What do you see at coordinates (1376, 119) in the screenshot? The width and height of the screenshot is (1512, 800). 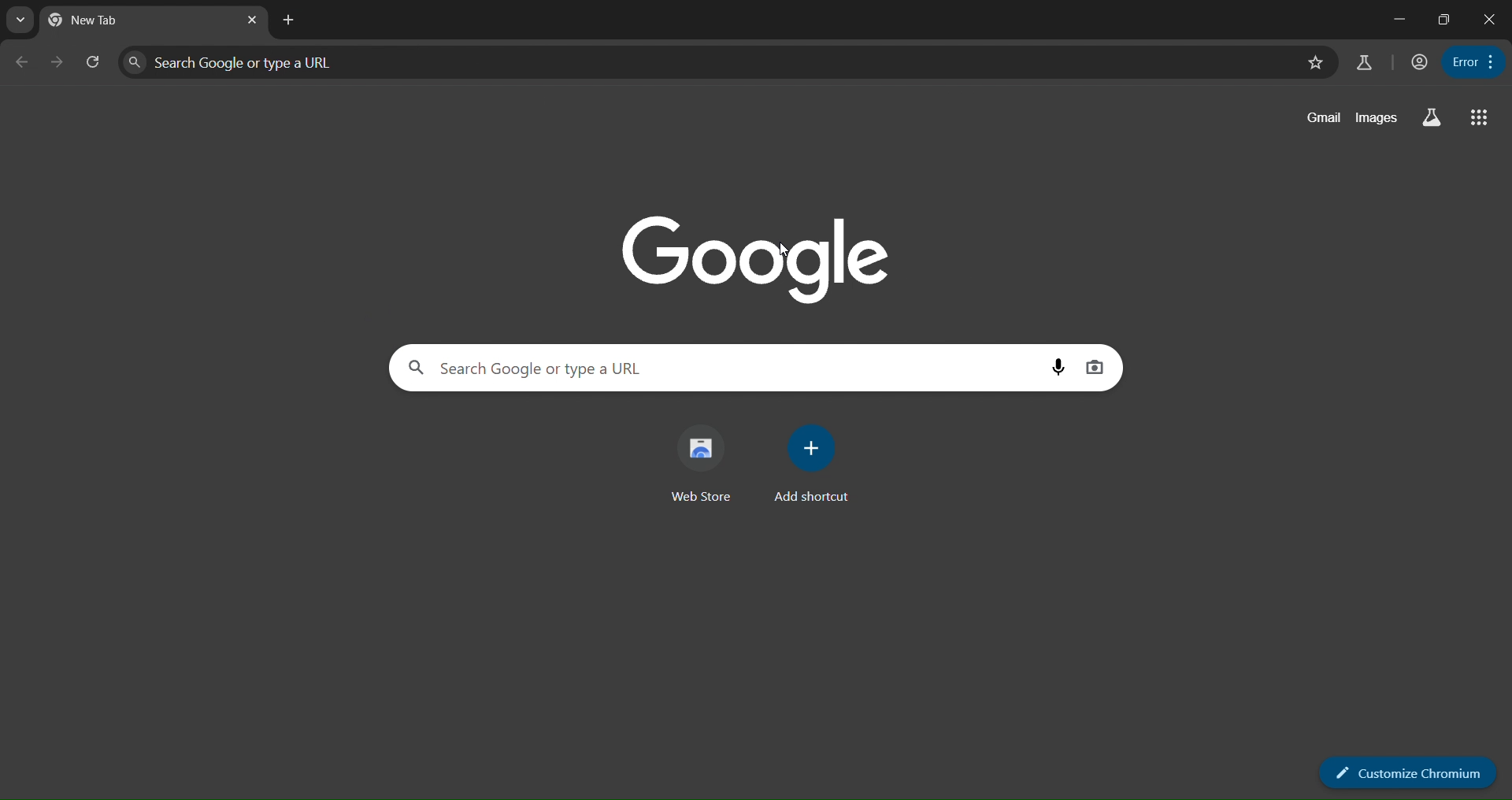 I see `images` at bounding box center [1376, 119].